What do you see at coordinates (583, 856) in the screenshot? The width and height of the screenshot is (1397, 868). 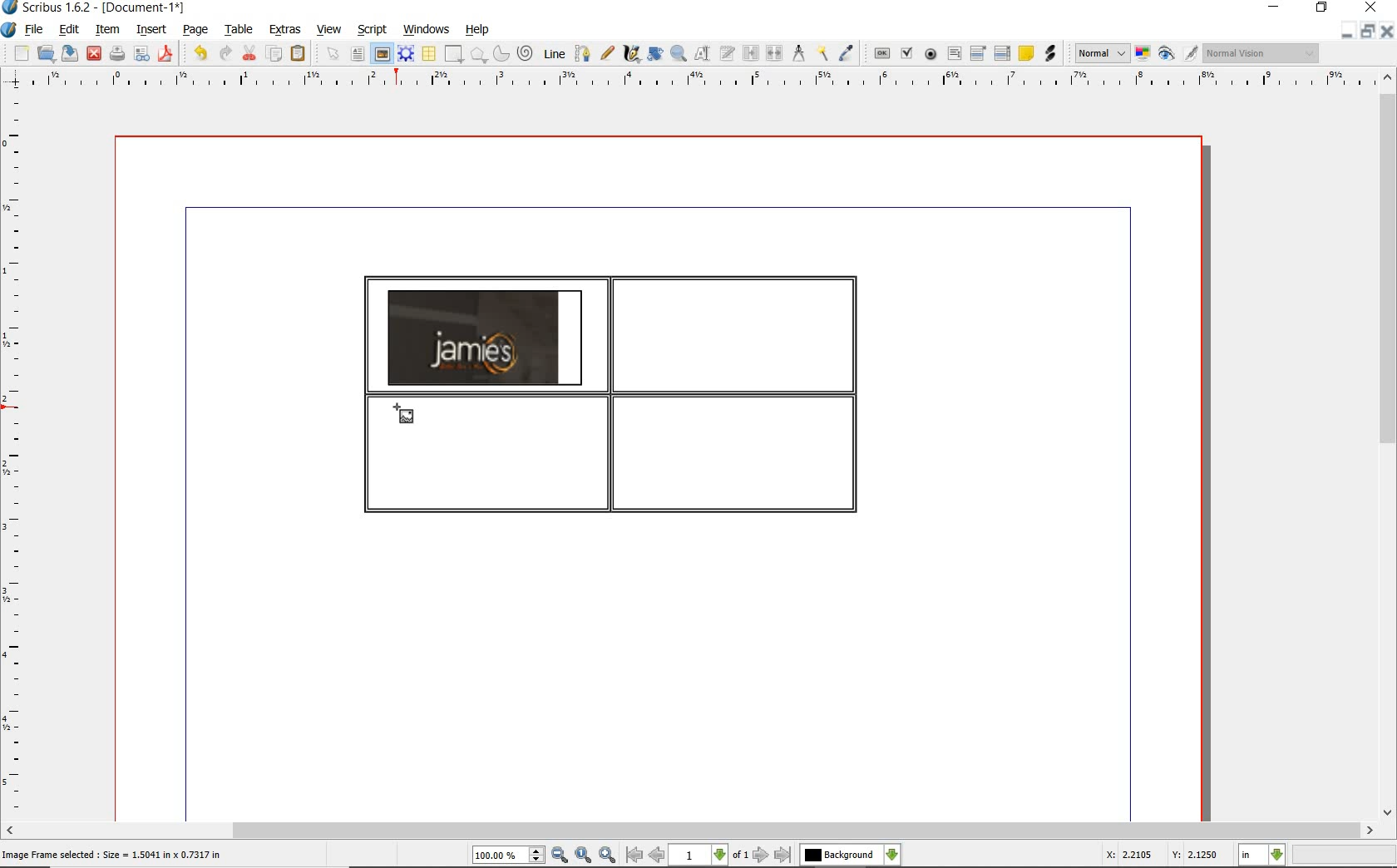 I see `zoom to` at bounding box center [583, 856].